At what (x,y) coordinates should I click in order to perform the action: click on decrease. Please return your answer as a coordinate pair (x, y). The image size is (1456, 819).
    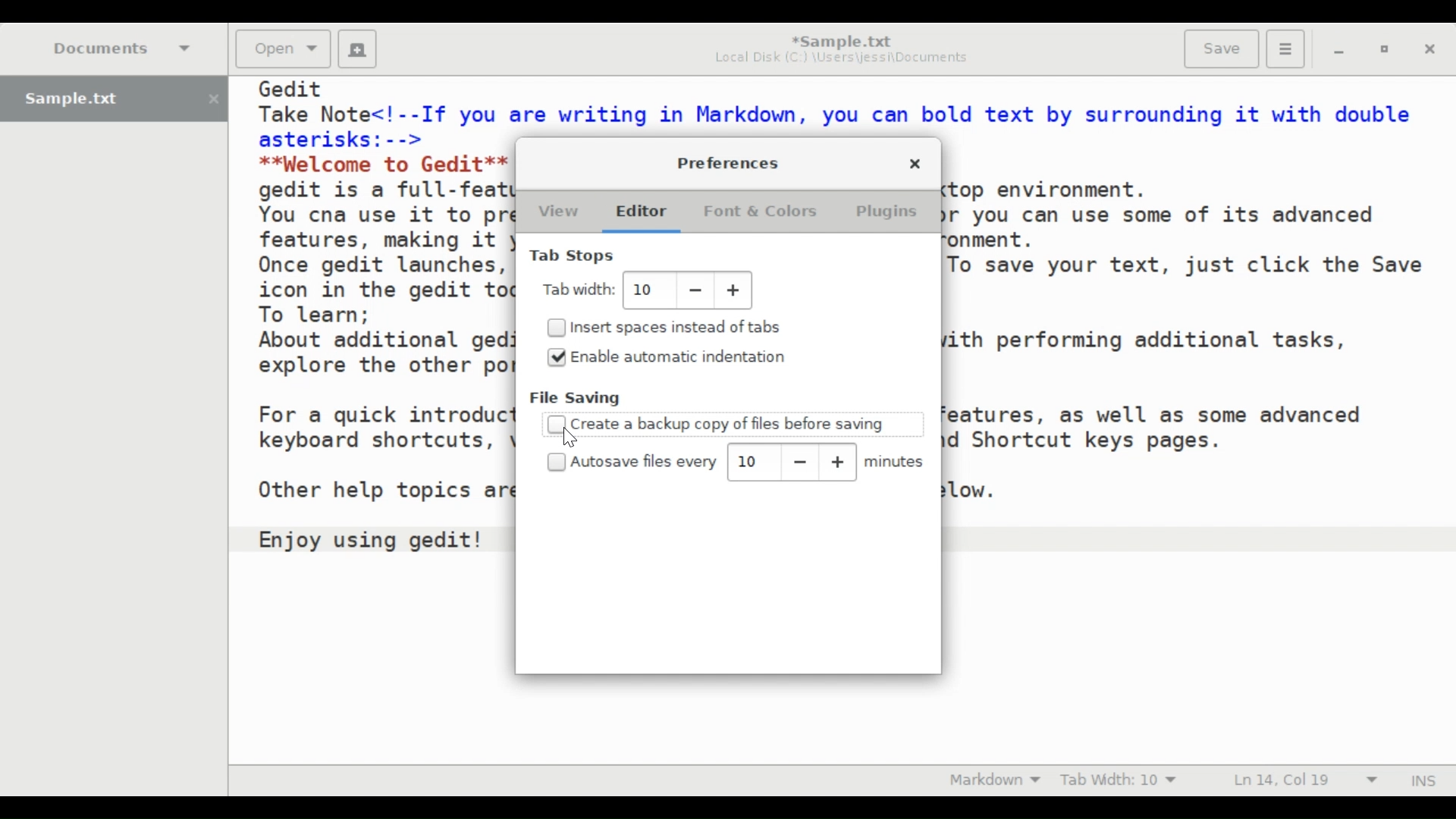
    Looking at the image, I should click on (799, 463).